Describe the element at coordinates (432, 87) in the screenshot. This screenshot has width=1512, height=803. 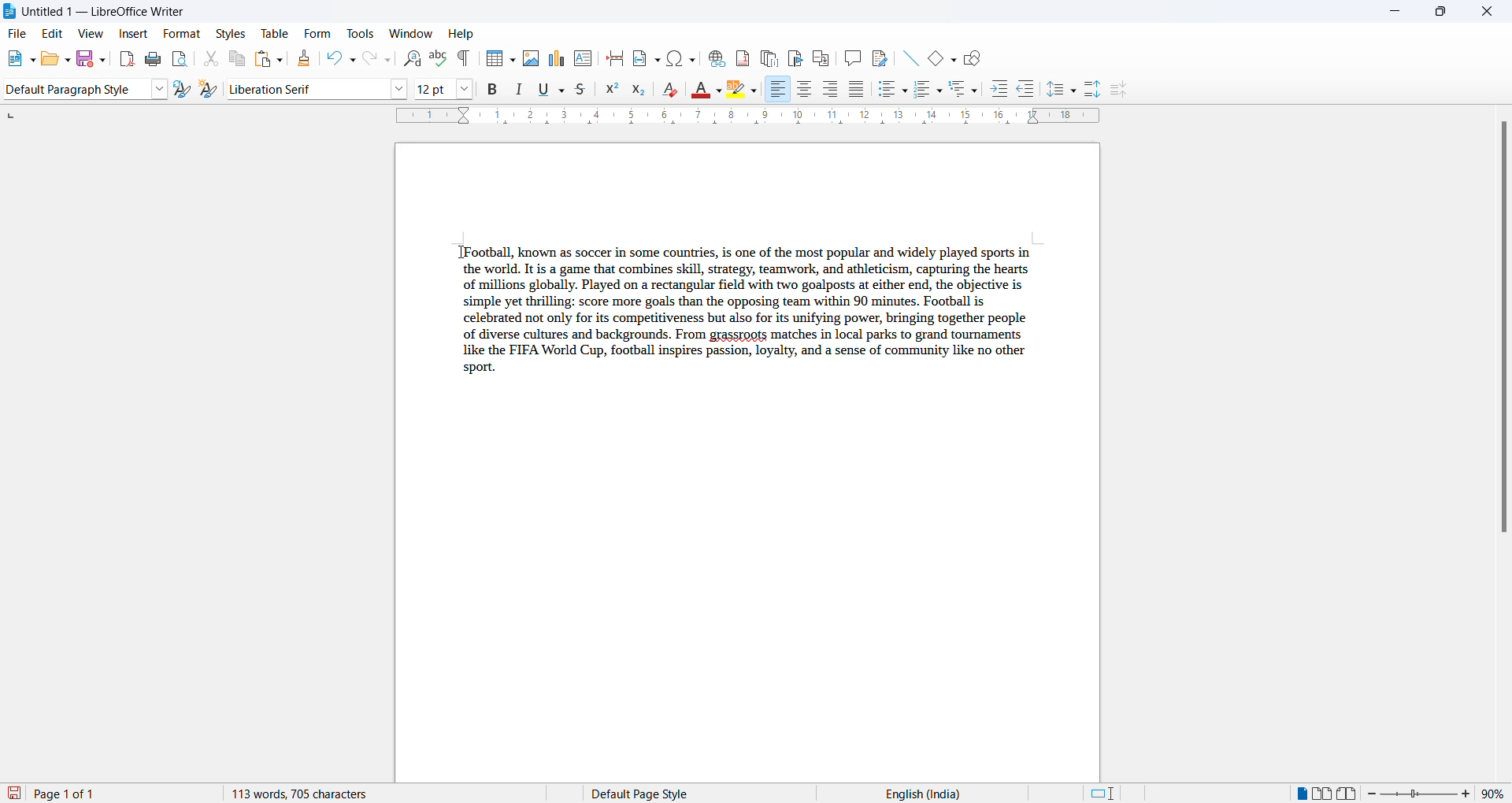
I see `font size` at that location.